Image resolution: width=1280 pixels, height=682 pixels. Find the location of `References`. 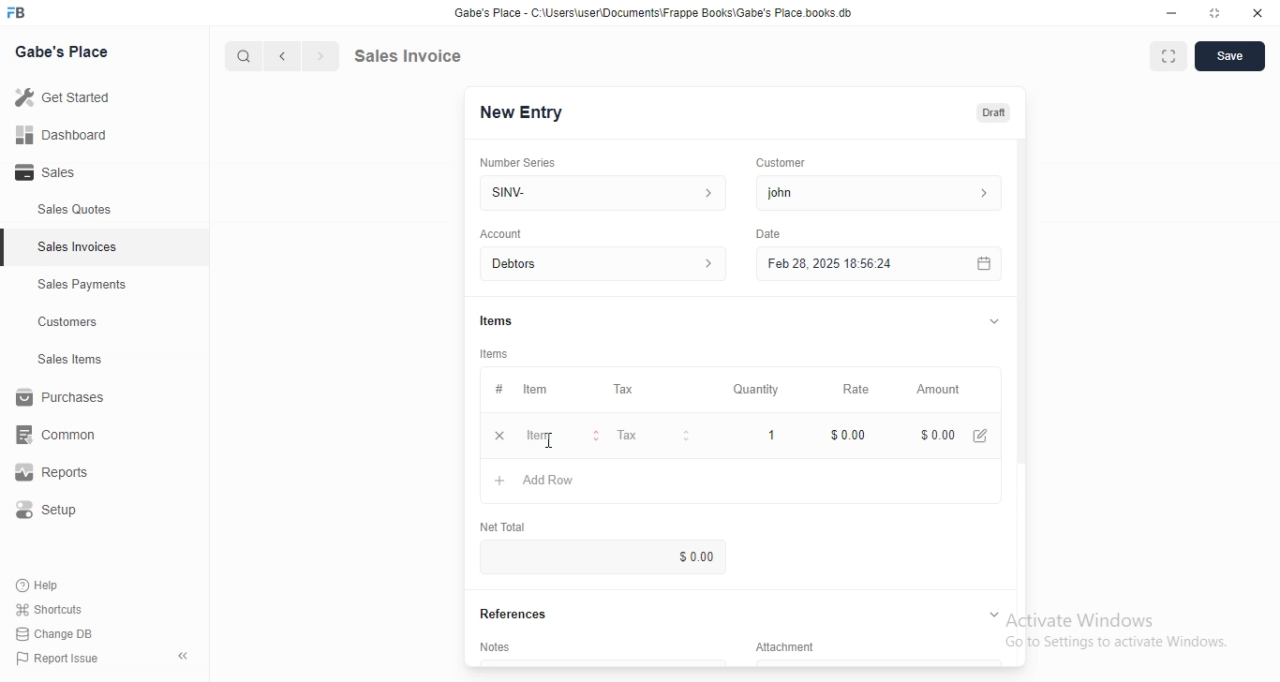

References is located at coordinates (521, 614).